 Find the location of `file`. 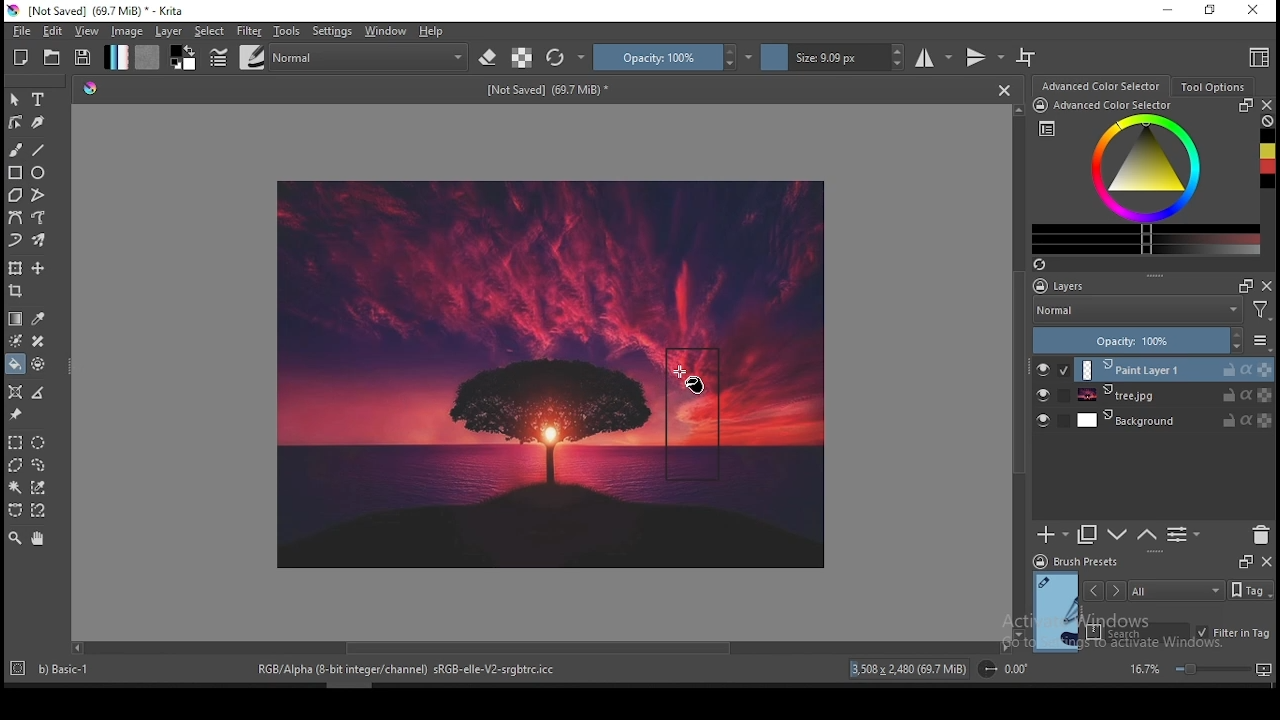

file is located at coordinates (19, 32).